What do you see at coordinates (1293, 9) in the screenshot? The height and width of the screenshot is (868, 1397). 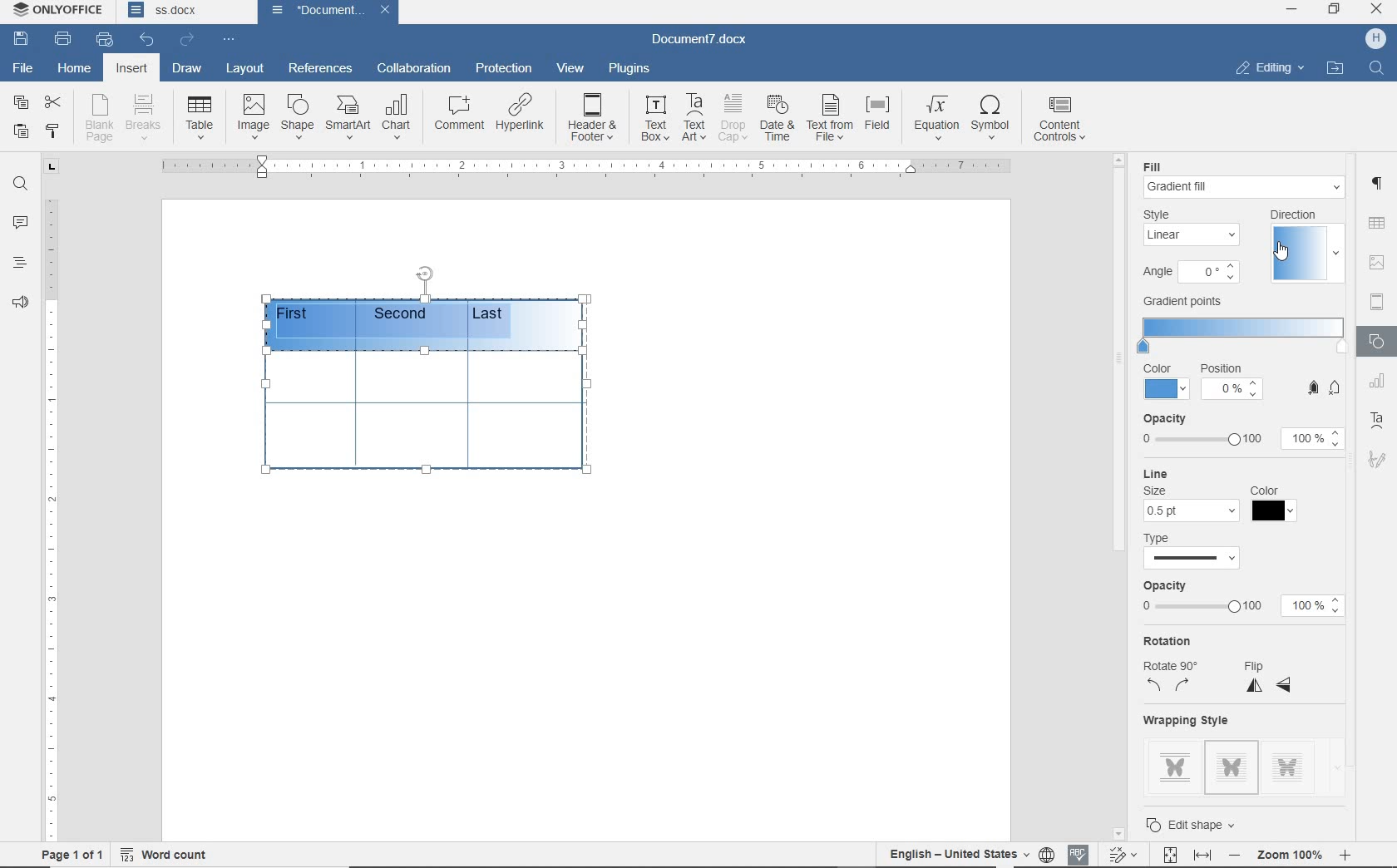 I see `MINIMIZE` at bounding box center [1293, 9].